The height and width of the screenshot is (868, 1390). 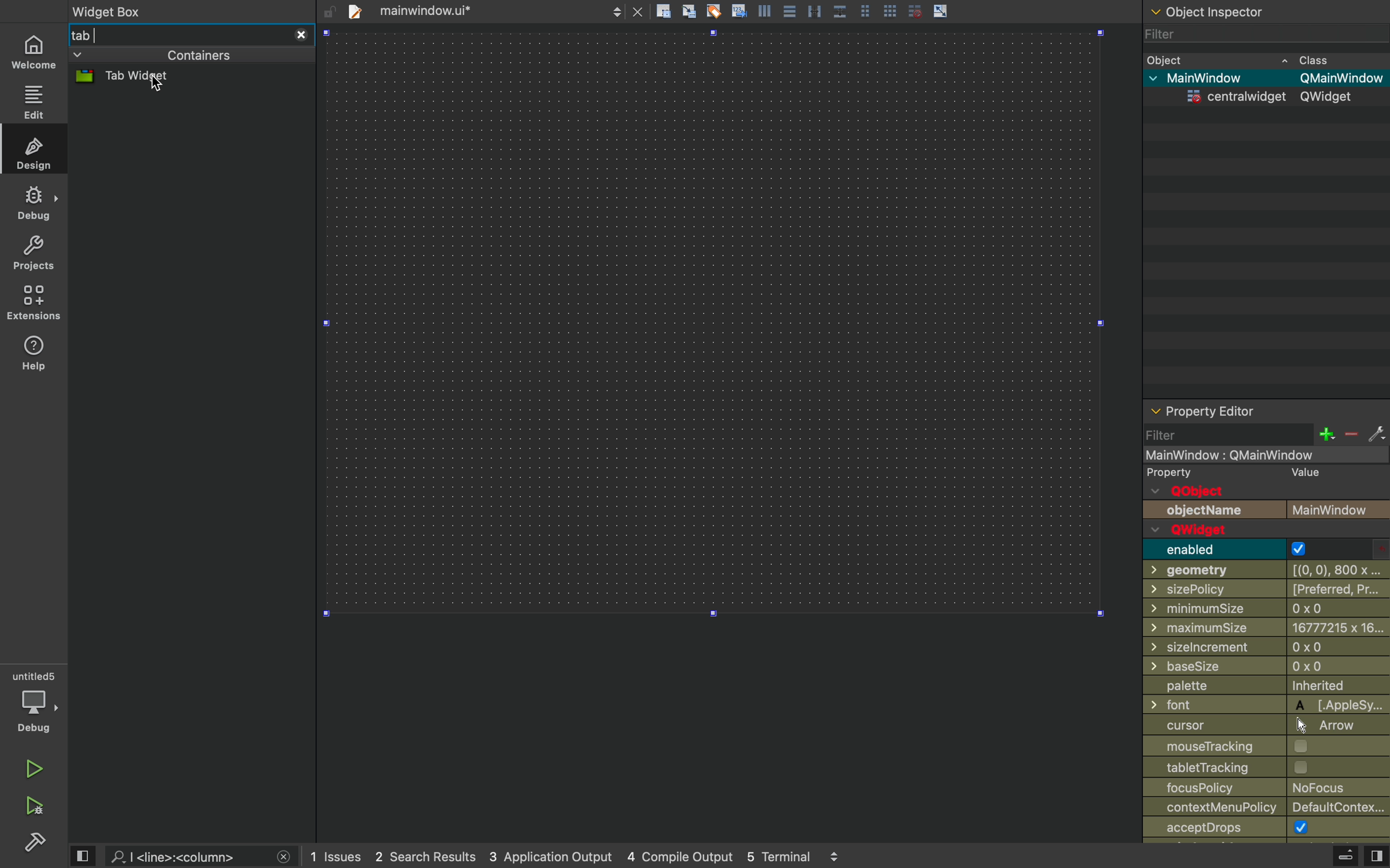 What do you see at coordinates (1268, 789) in the screenshot?
I see `focuspolicy` at bounding box center [1268, 789].